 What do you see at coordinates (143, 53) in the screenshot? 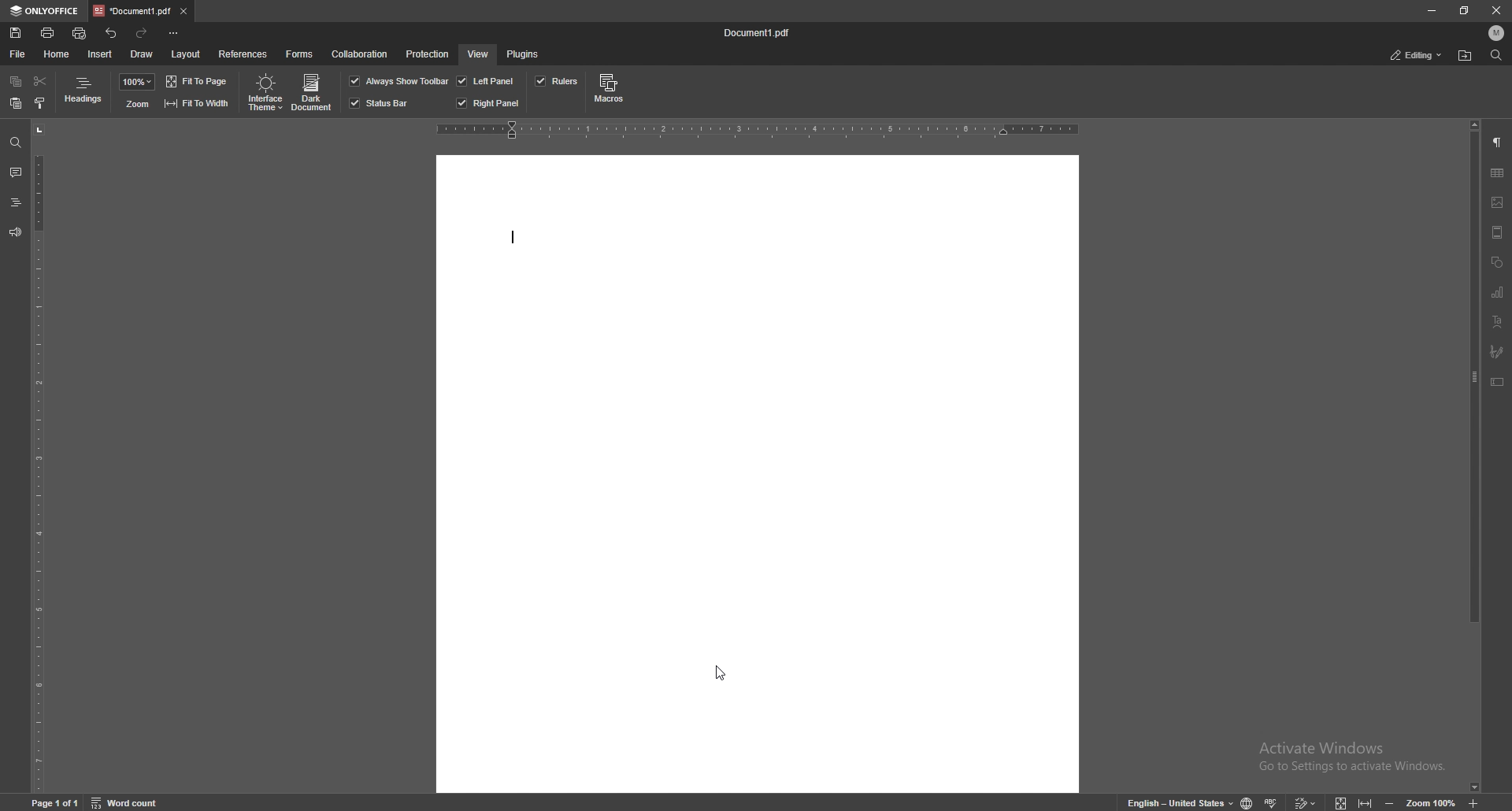
I see `draw` at bounding box center [143, 53].